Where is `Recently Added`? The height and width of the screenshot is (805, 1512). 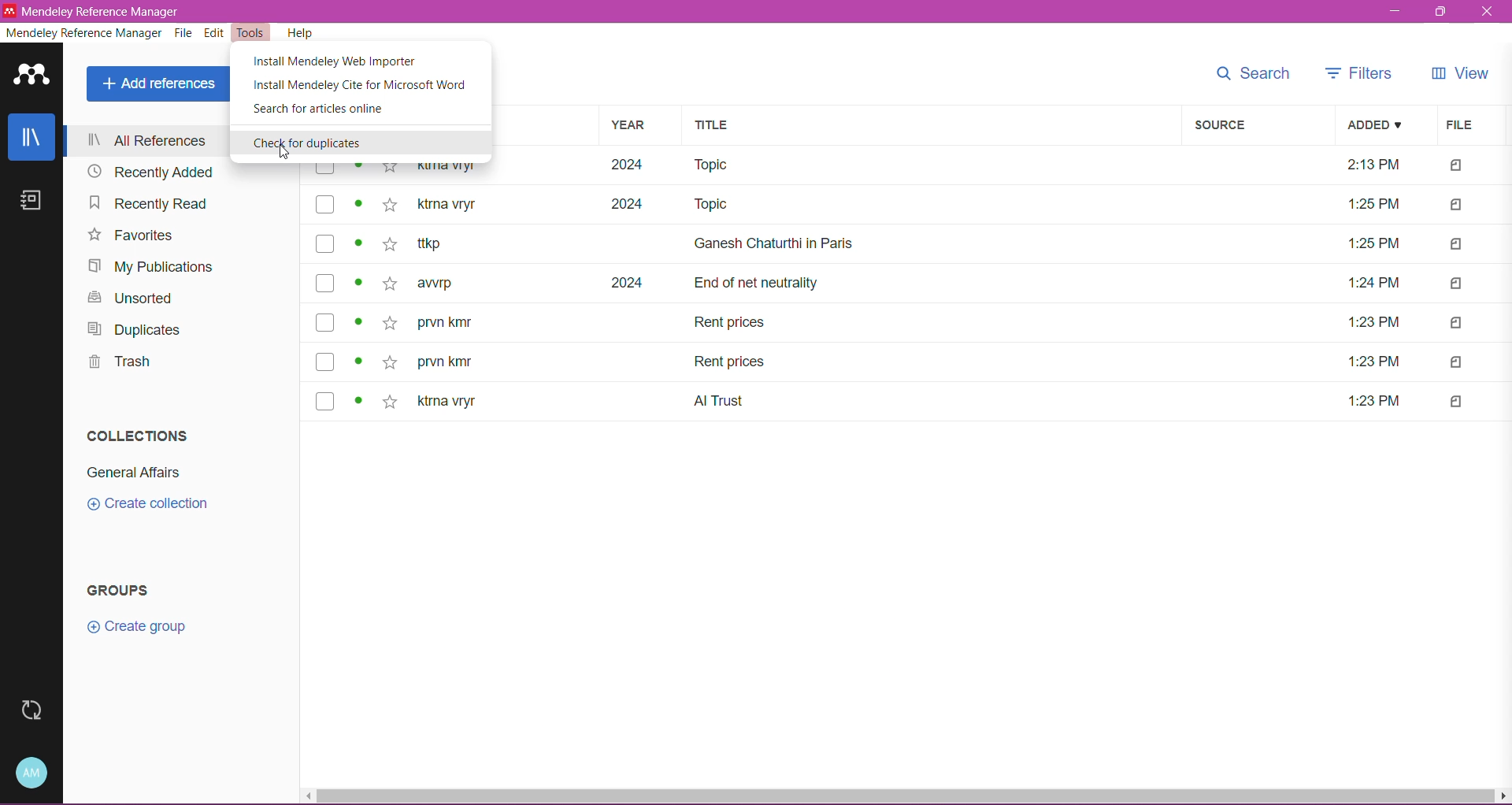 Recently Added is located at coordinates (153, 172).